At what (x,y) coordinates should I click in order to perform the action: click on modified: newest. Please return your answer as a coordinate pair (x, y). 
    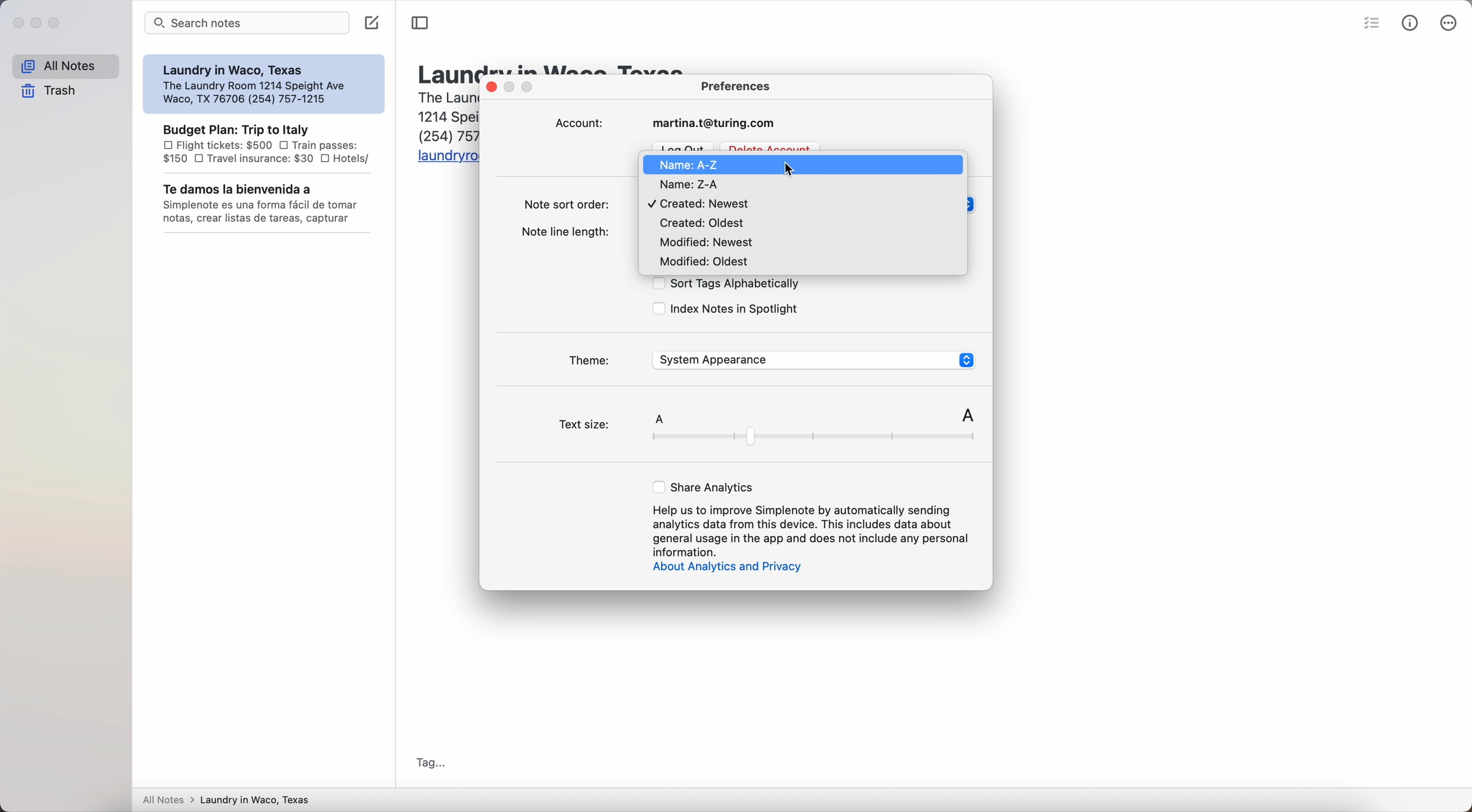
    Looking at the image, I should click on (705, 244).